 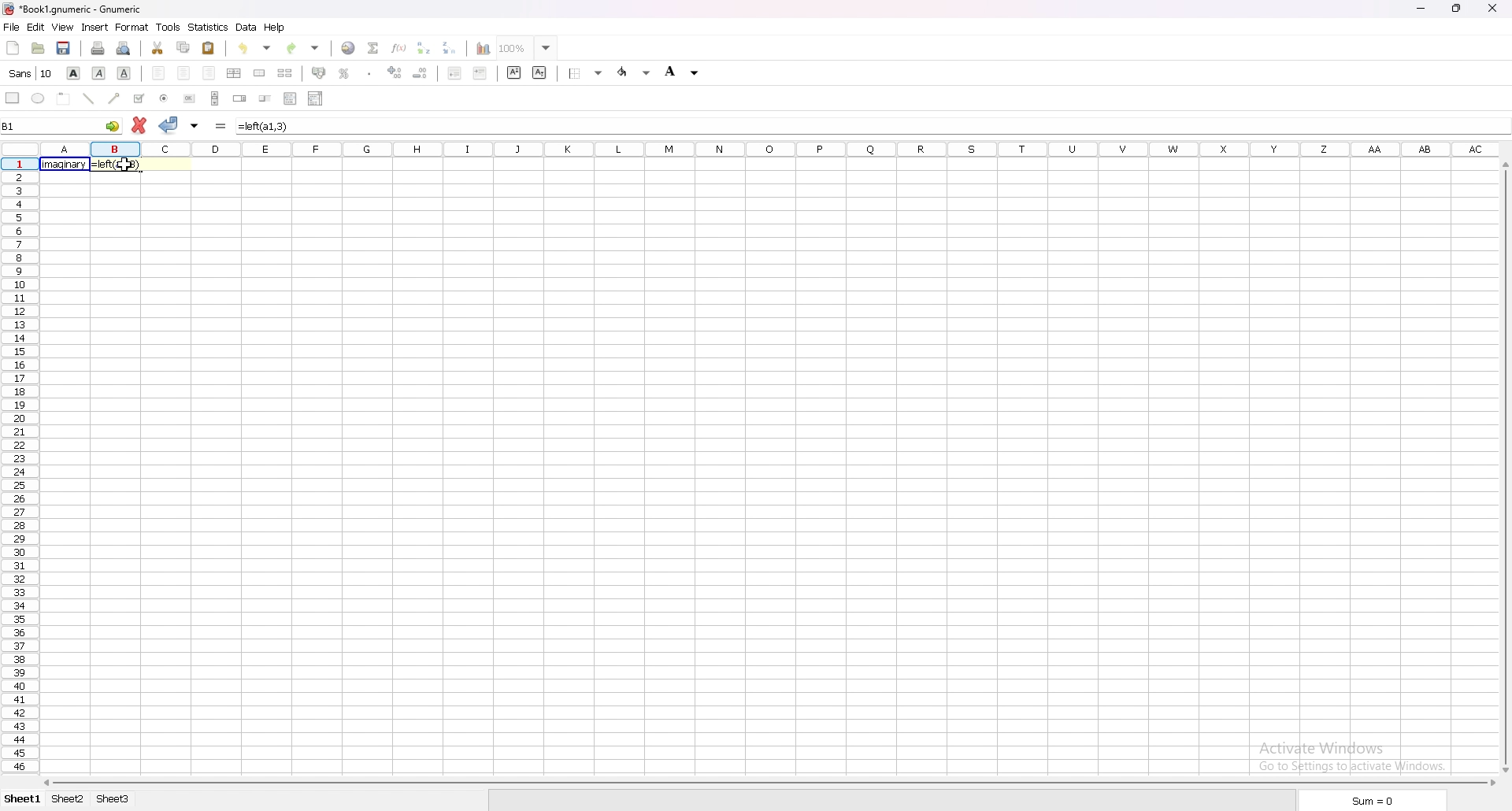 I want to click on frame, so click(x=65, y=98).